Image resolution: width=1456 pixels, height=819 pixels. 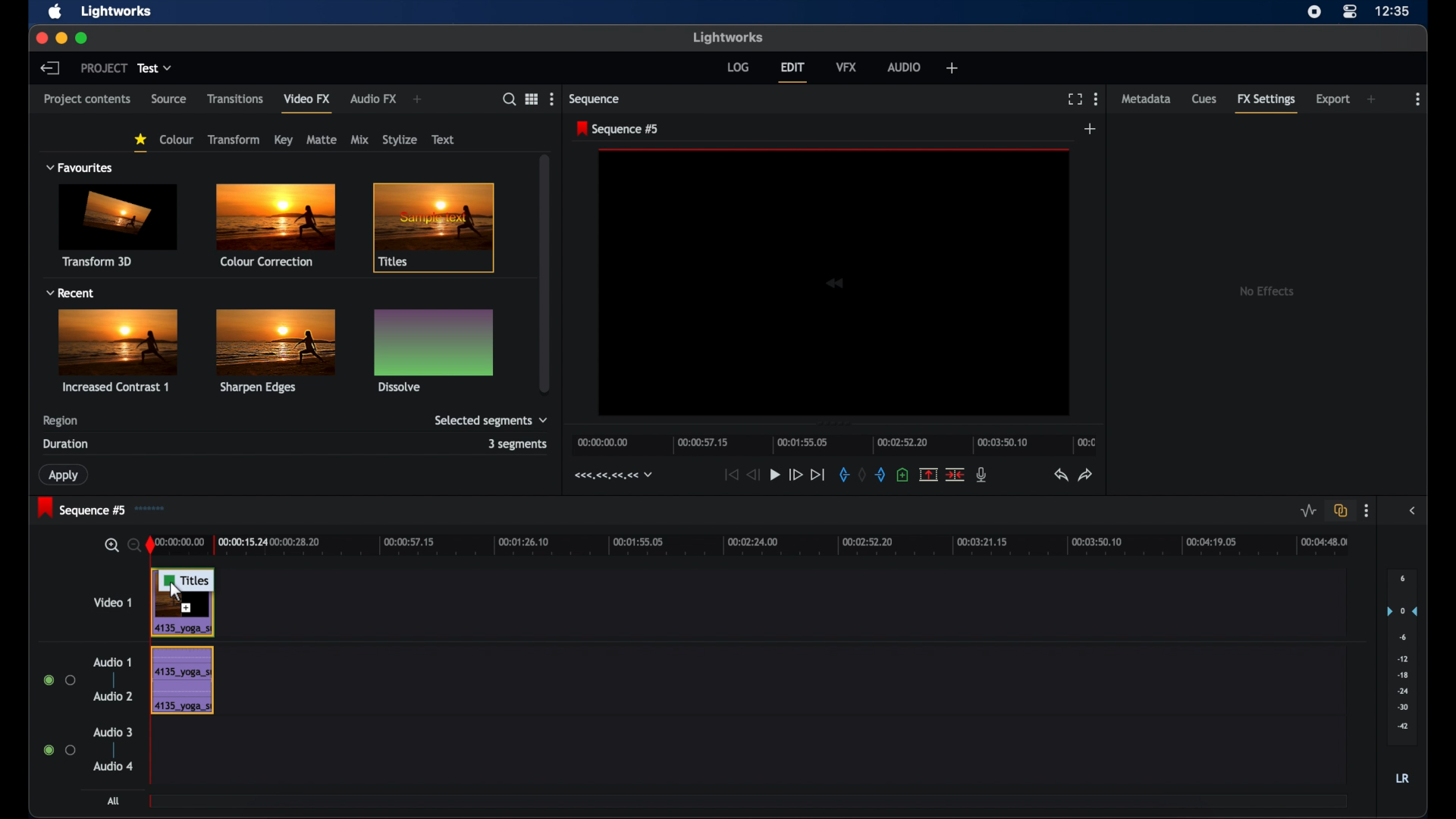 I want to click on video icon, so click(x=834, y=283).